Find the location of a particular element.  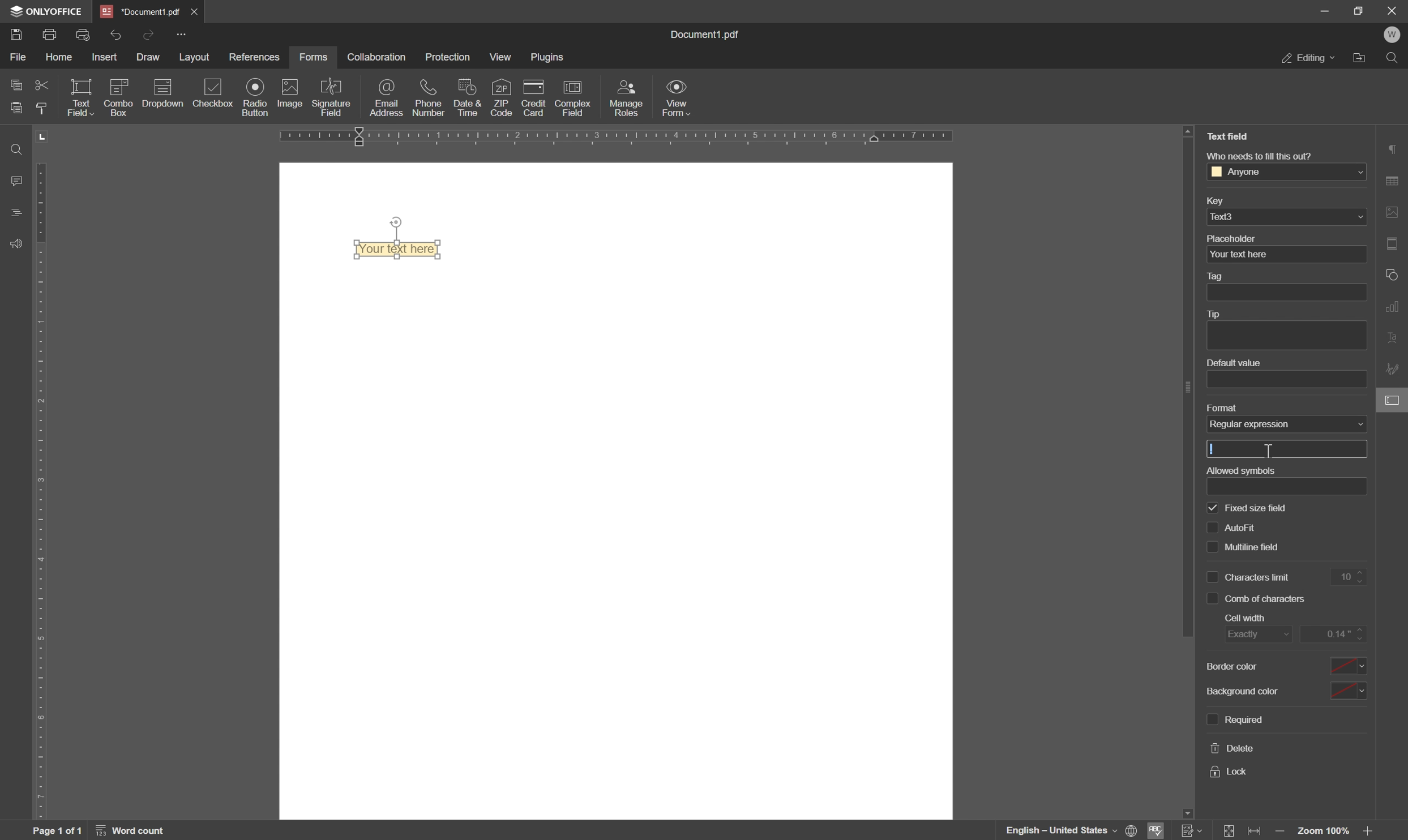

layout is located at coordinates (192, 58).